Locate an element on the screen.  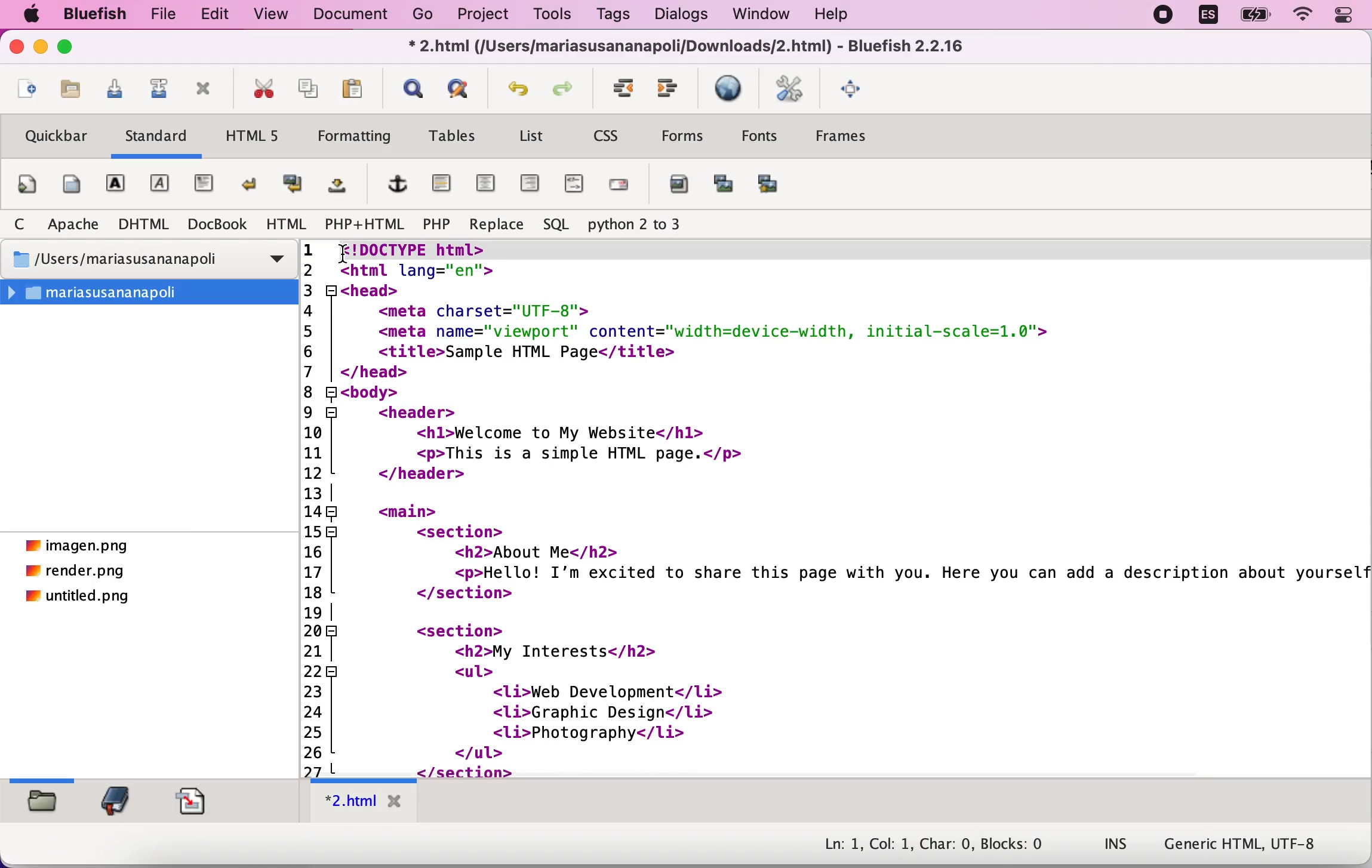
undo is located at coordinates (519, 88).